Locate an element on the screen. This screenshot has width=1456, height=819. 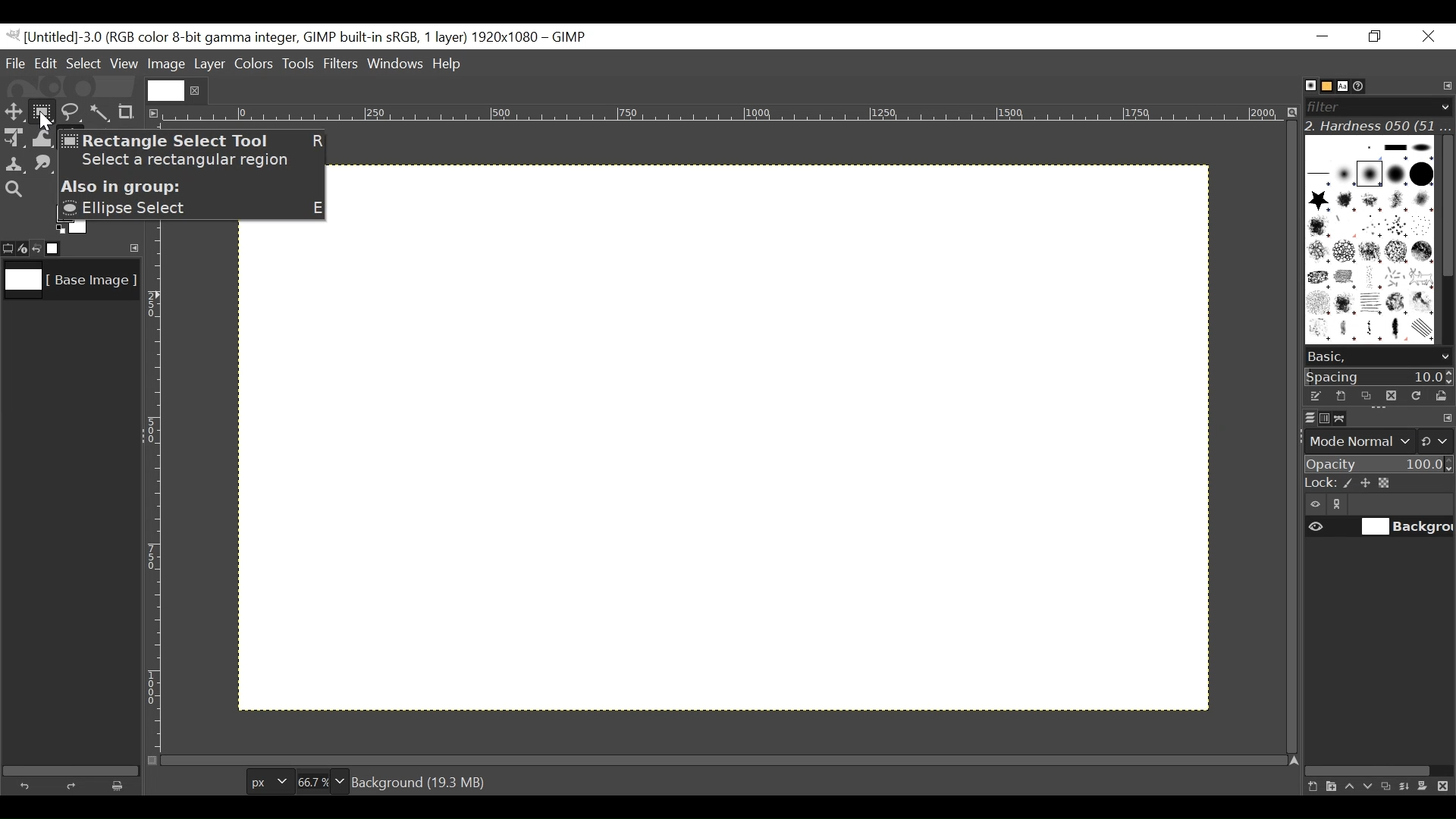
Configure this tab is located at coordinates (131, 247).